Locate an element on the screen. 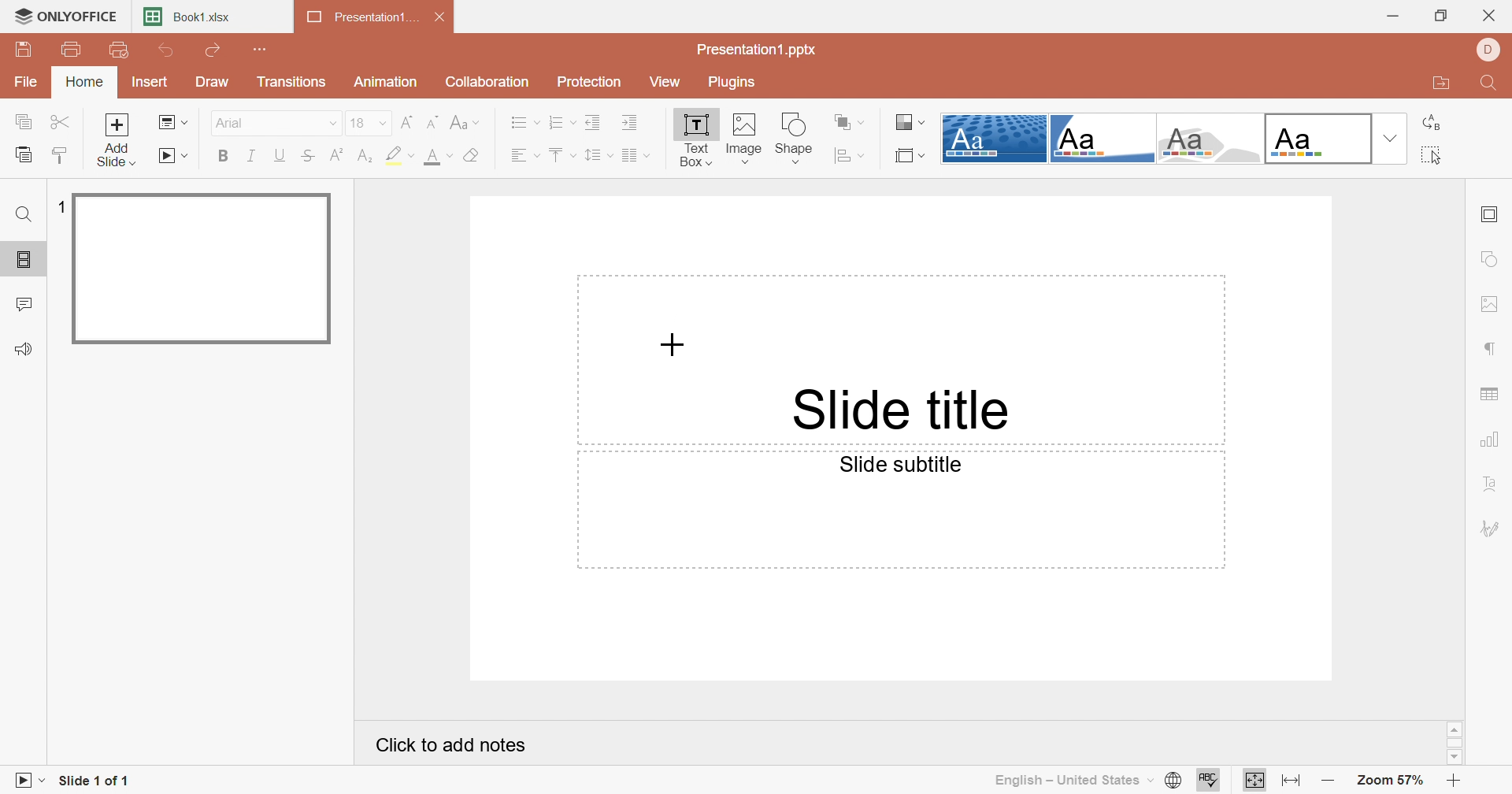  Slide is located at coordinates (201, 268).